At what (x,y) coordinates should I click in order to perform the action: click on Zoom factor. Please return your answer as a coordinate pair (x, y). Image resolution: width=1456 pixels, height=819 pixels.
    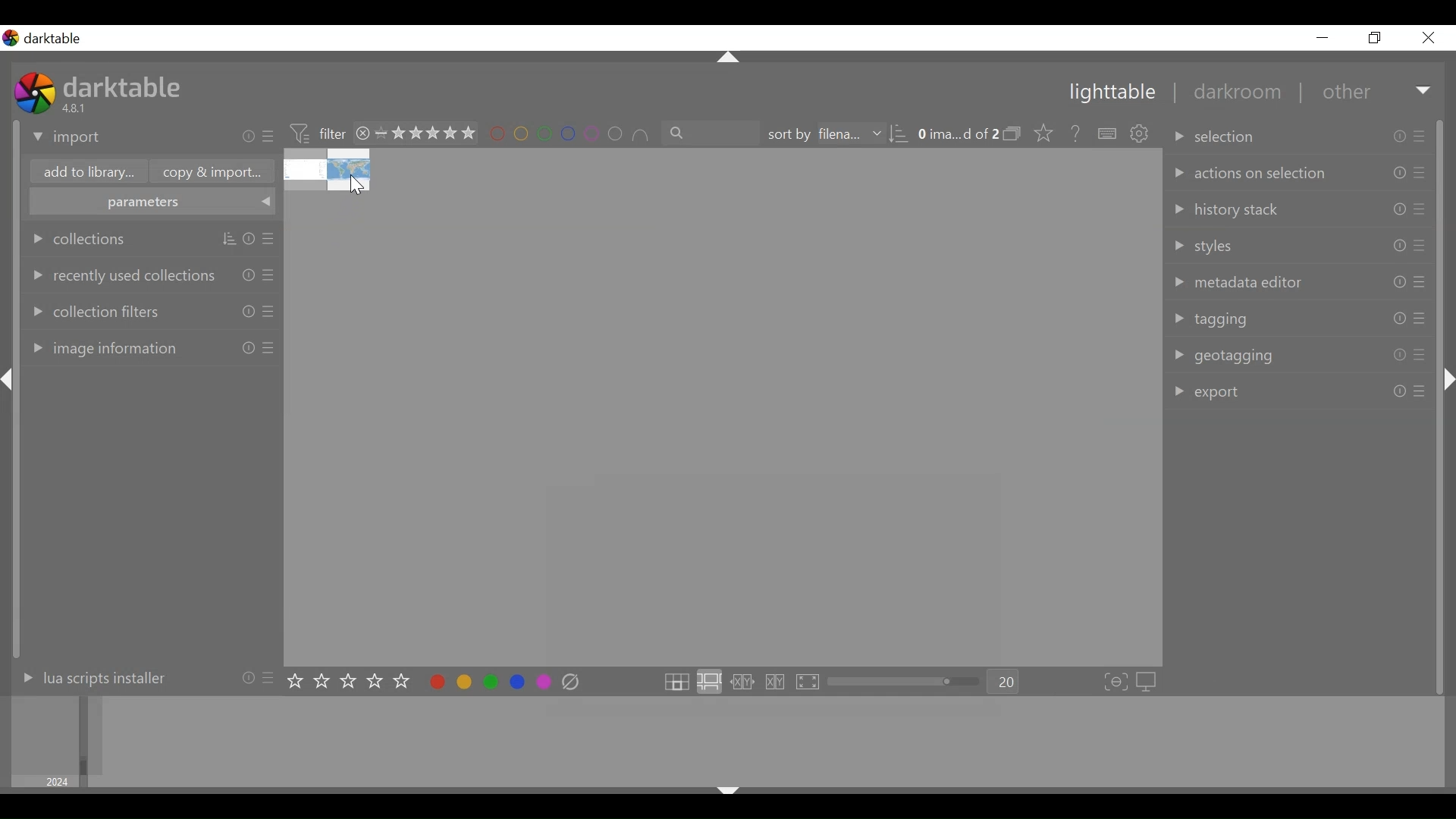
    Looking at the image, I should click on (1006, 682).